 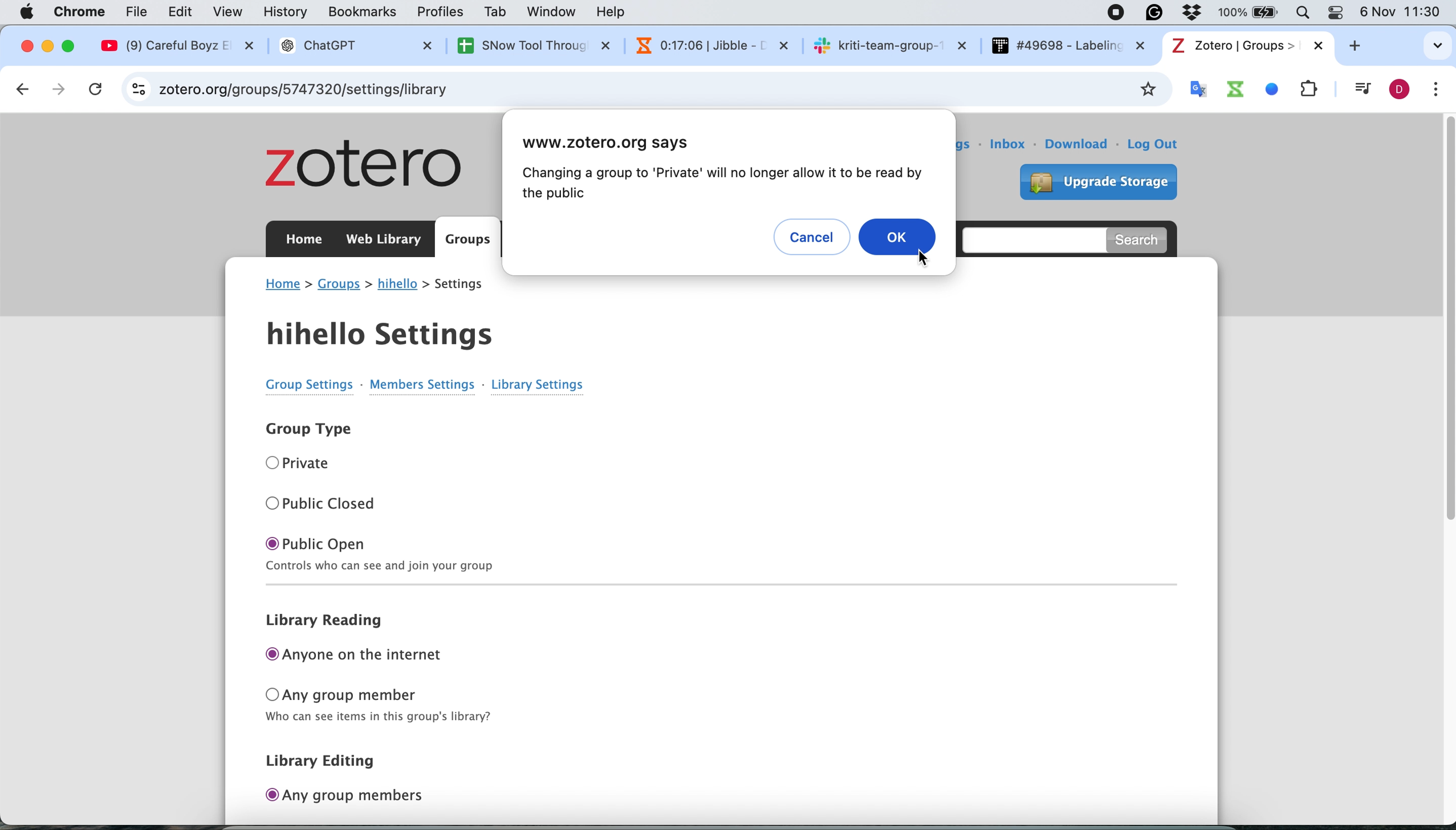 I want to click on O Public Closed, so click(x=321, y=501).